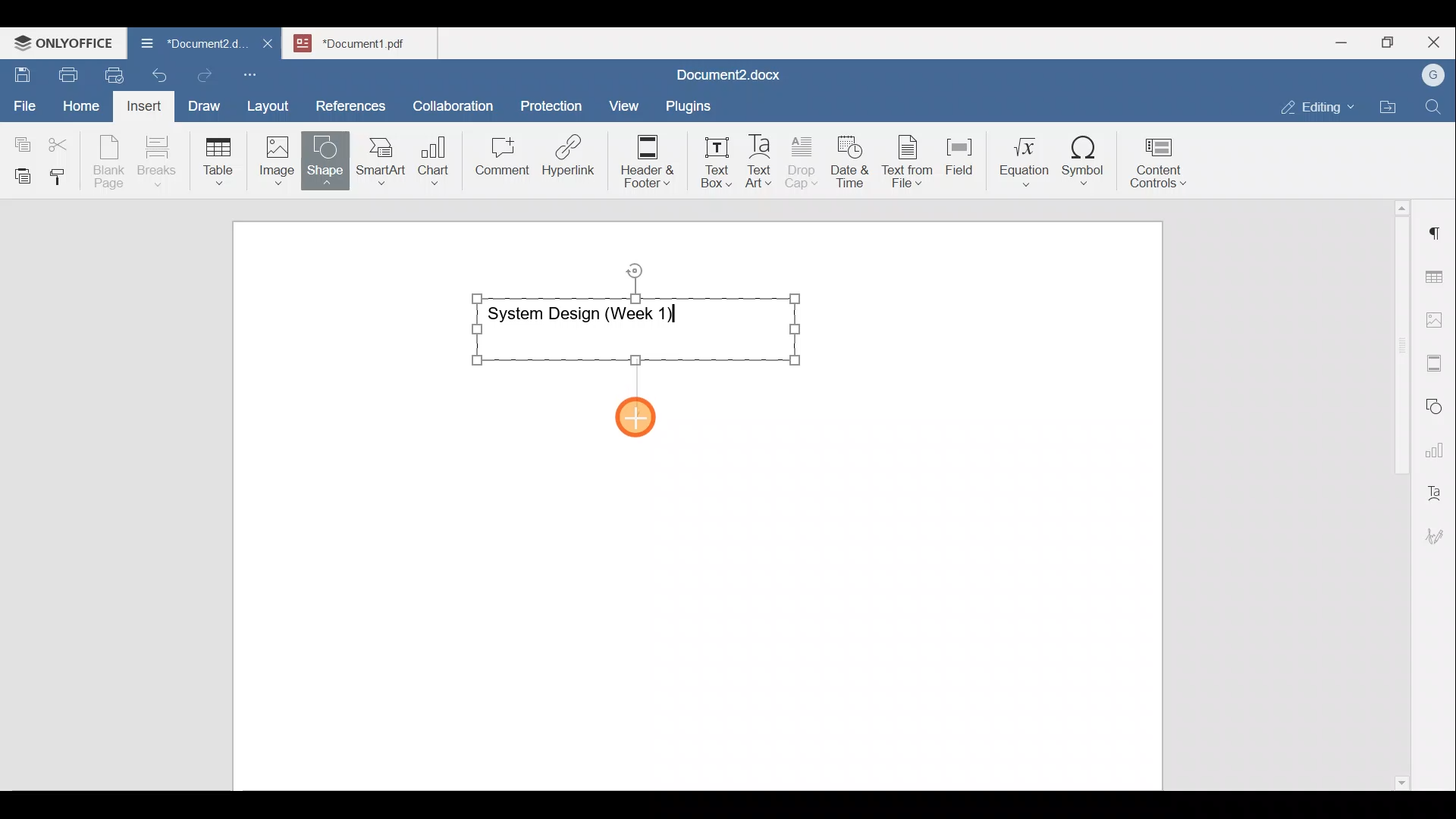 The height and width of the screenshot is (819, 1456). Describe the element at coordinates (693, 104) in the screenshot. I see `Plugins` at that location.